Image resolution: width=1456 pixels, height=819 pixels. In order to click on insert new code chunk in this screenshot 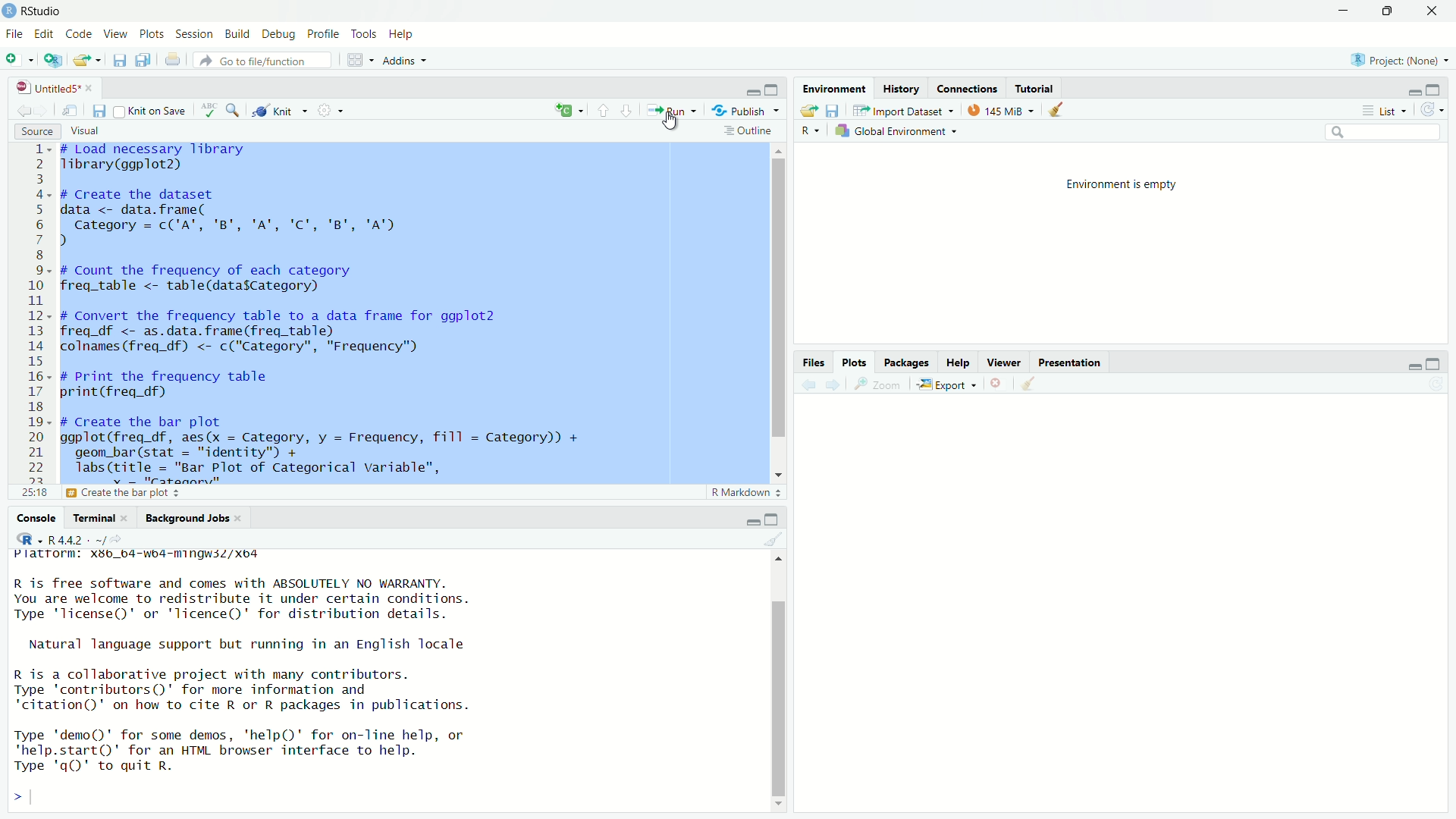, I will do `click(567, 111)`.